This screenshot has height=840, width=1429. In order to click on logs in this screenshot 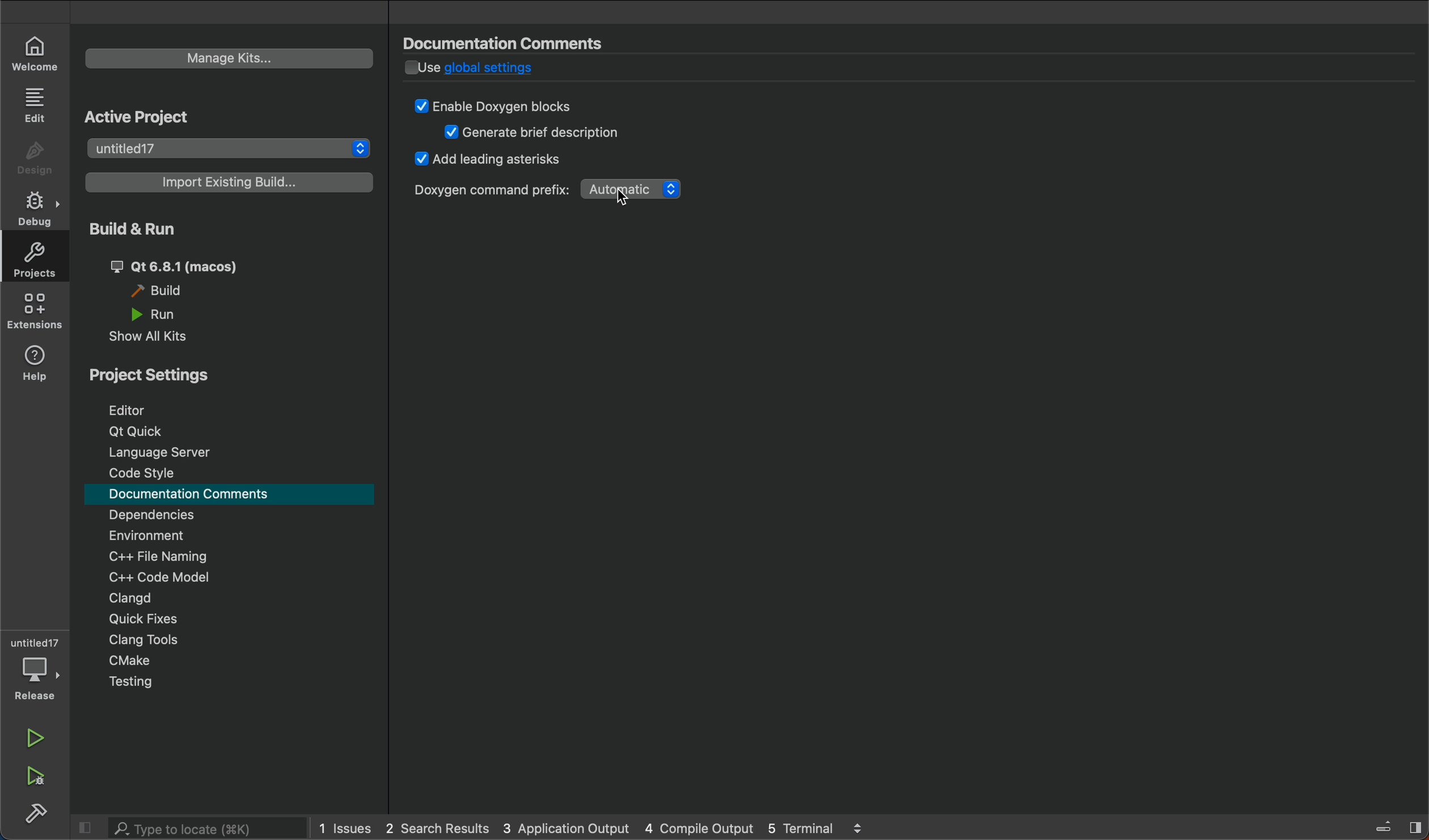, I will do `click(604, 830)`.